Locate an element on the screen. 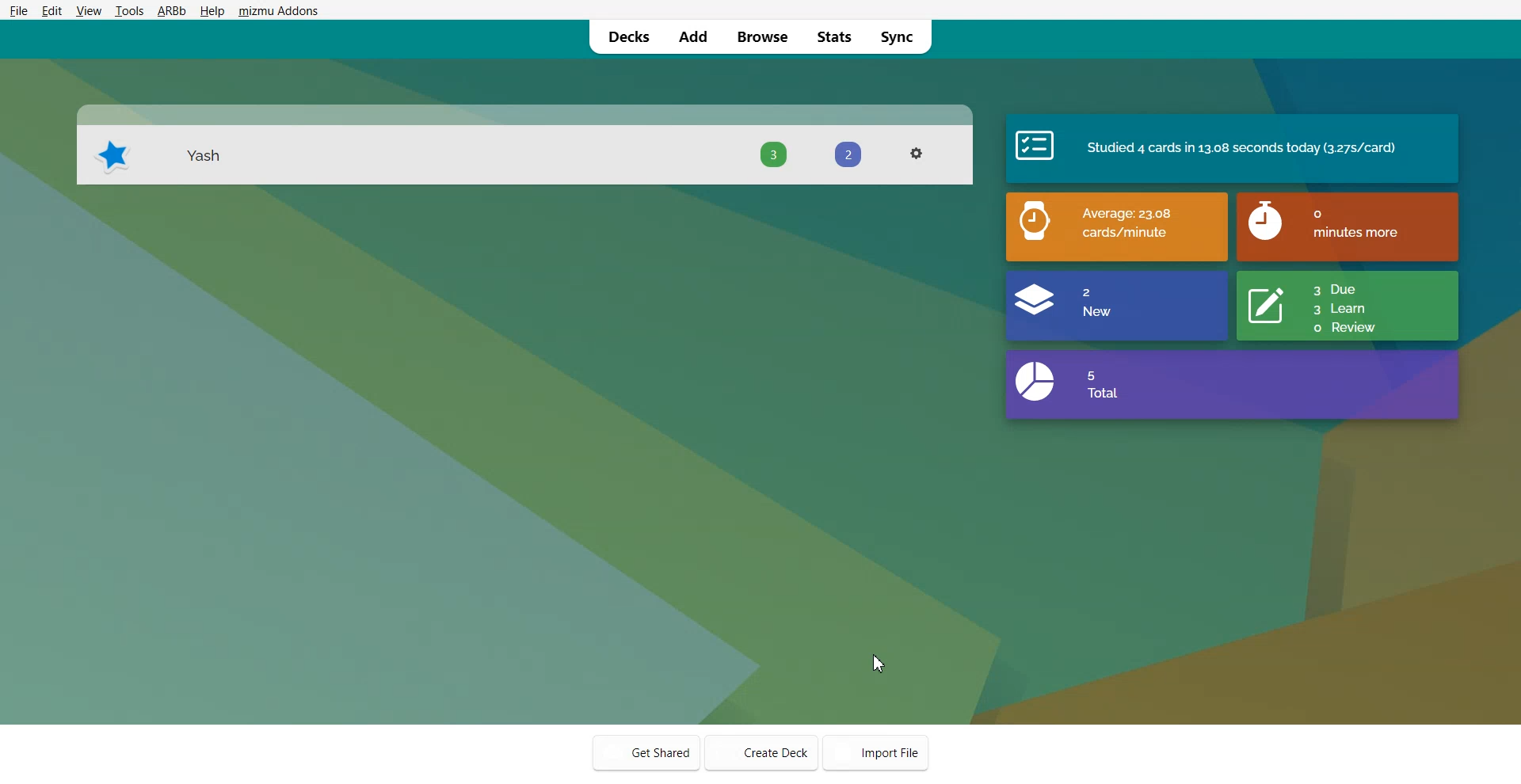  Yash is located at coordinates (200, 156).